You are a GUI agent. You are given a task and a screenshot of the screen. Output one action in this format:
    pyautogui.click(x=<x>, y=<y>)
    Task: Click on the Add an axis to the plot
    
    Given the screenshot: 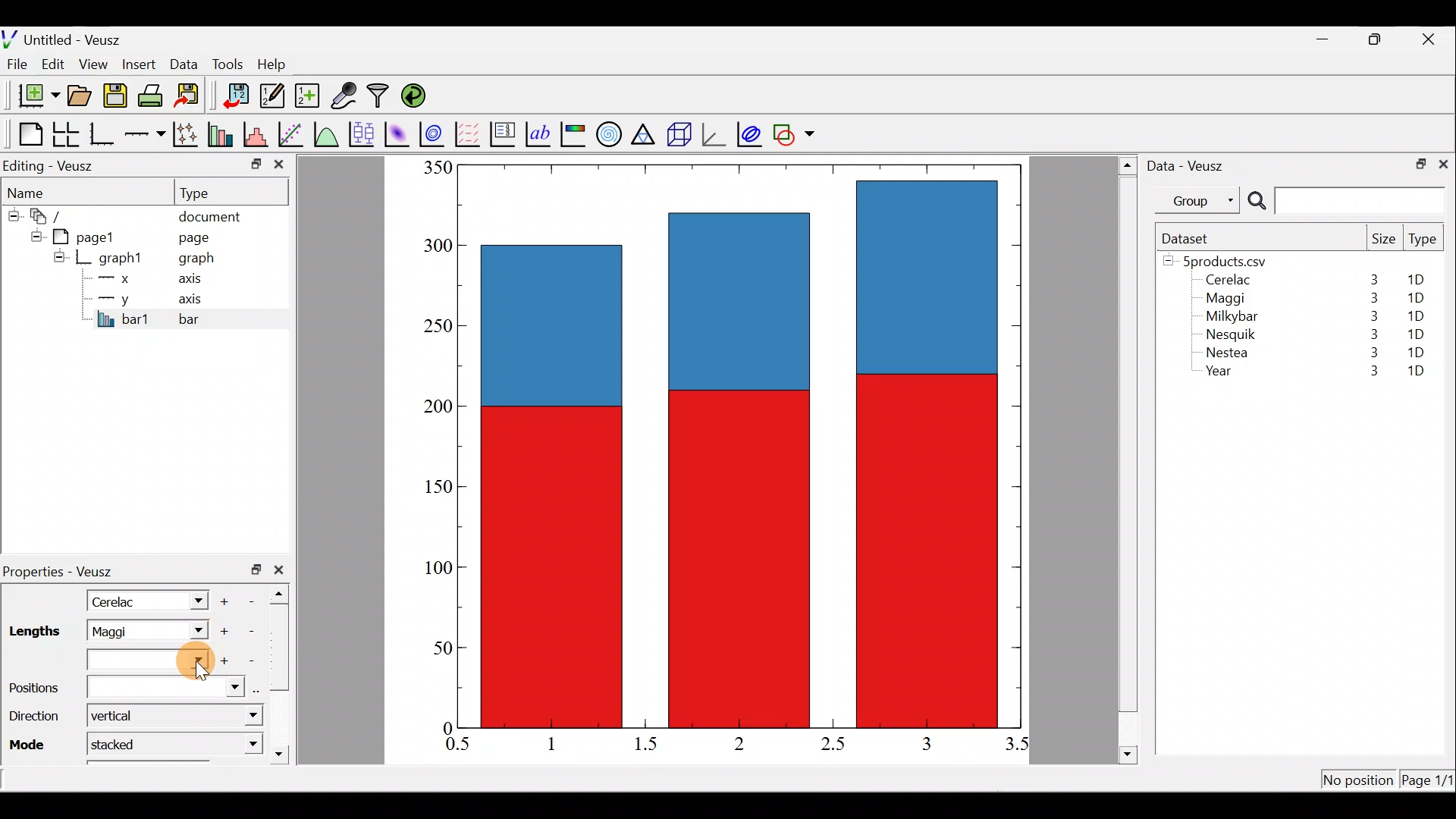 What is the action you would take?
    pyautogui.click(x=148, y=134)
    